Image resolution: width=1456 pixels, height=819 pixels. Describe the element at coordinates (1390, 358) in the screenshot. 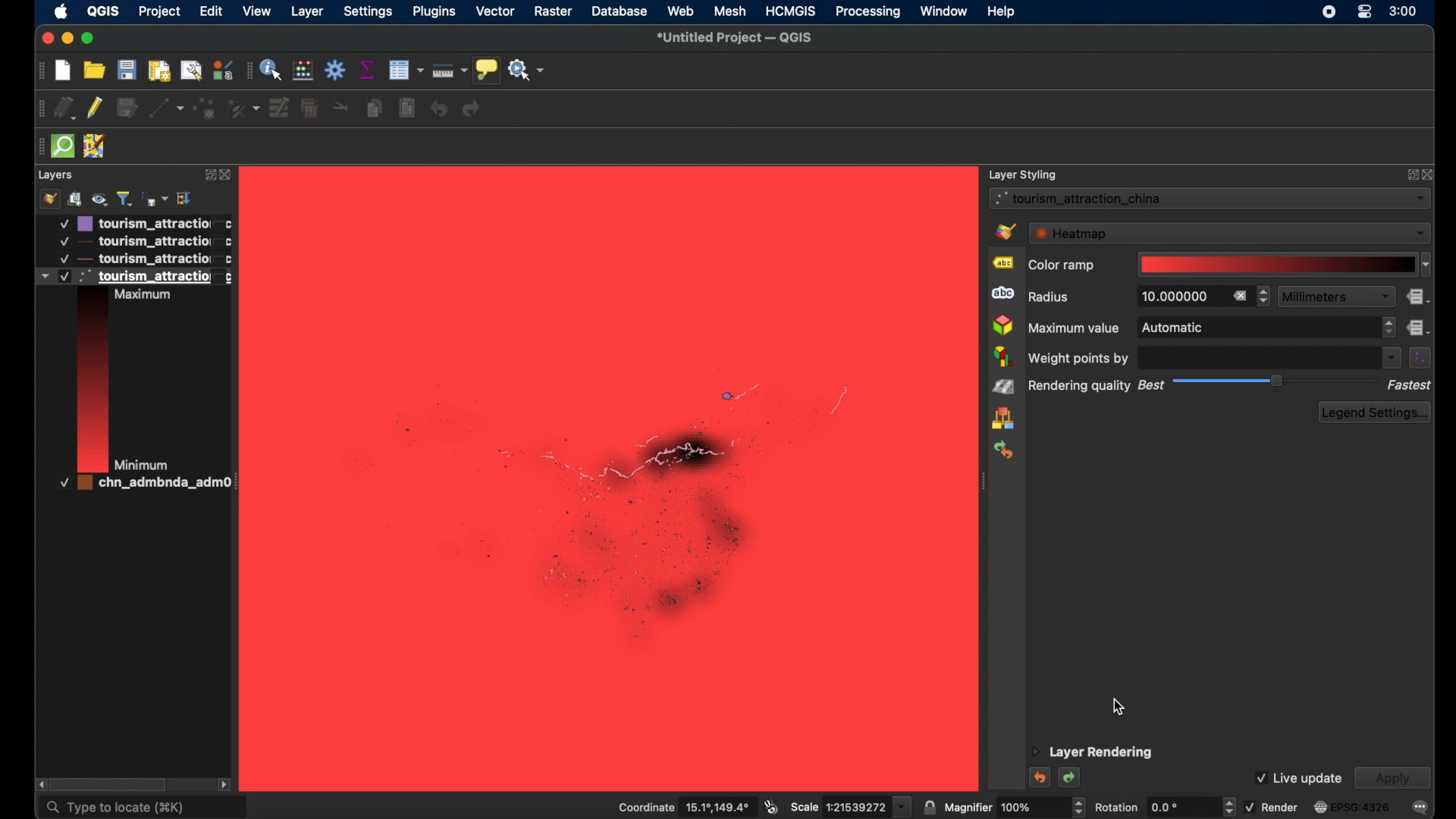

I see `dropdown menu` at that location.